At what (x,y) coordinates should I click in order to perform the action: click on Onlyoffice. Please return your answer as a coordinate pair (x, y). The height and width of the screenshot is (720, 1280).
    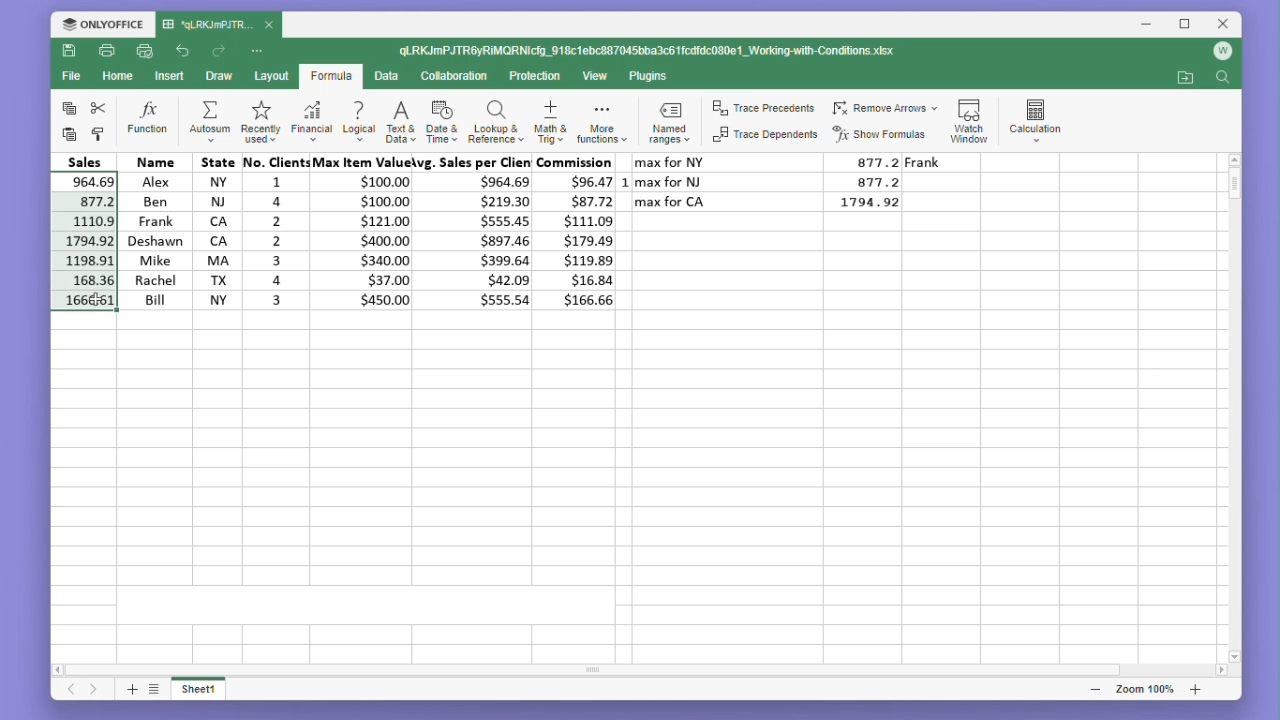
    Looking at the image, I should click on (102, 24).